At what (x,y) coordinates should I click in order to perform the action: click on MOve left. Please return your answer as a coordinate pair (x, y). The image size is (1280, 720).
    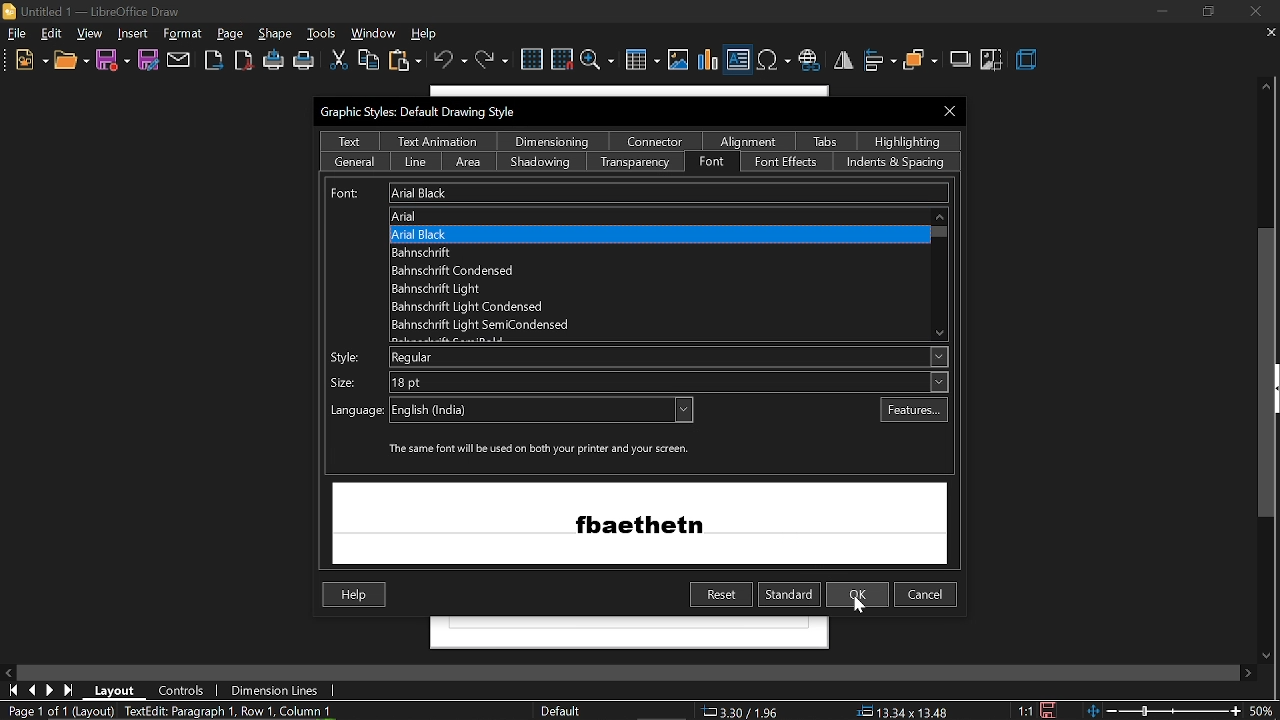
    Looking at the image, I should click on (8, 671).